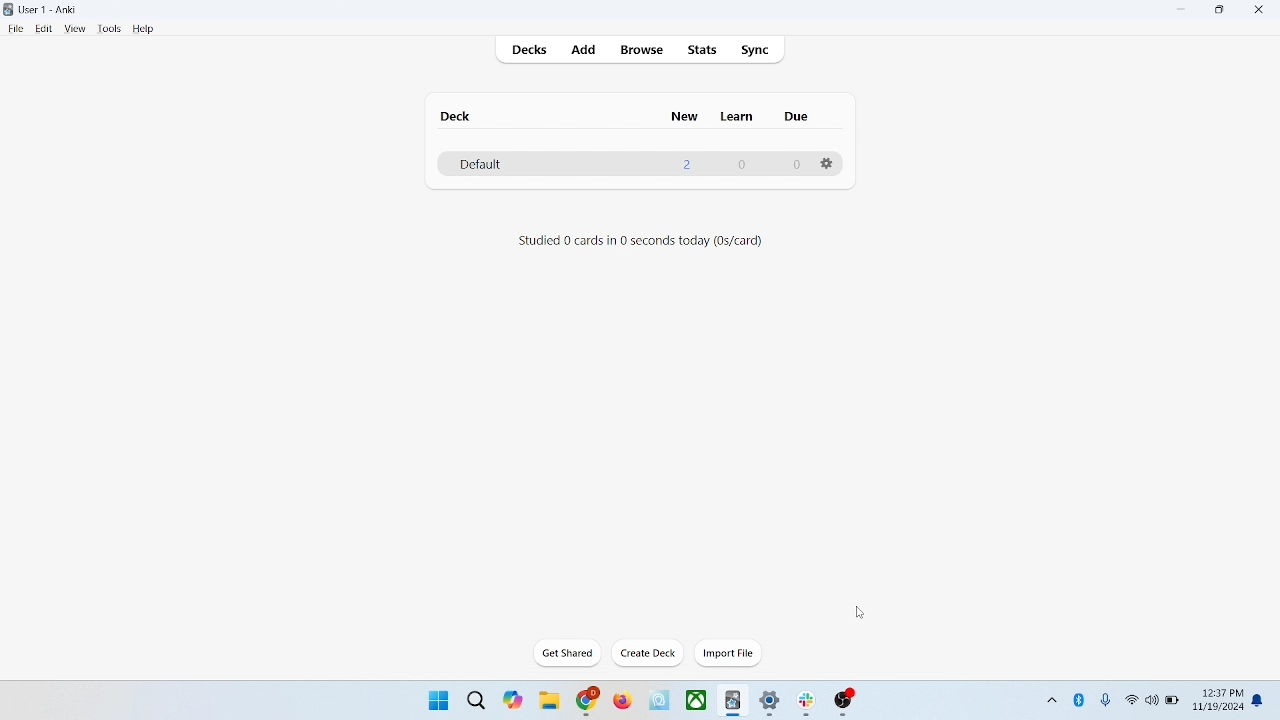 The image size is (1280, 720). I want to click on sync, so click(756, 51).